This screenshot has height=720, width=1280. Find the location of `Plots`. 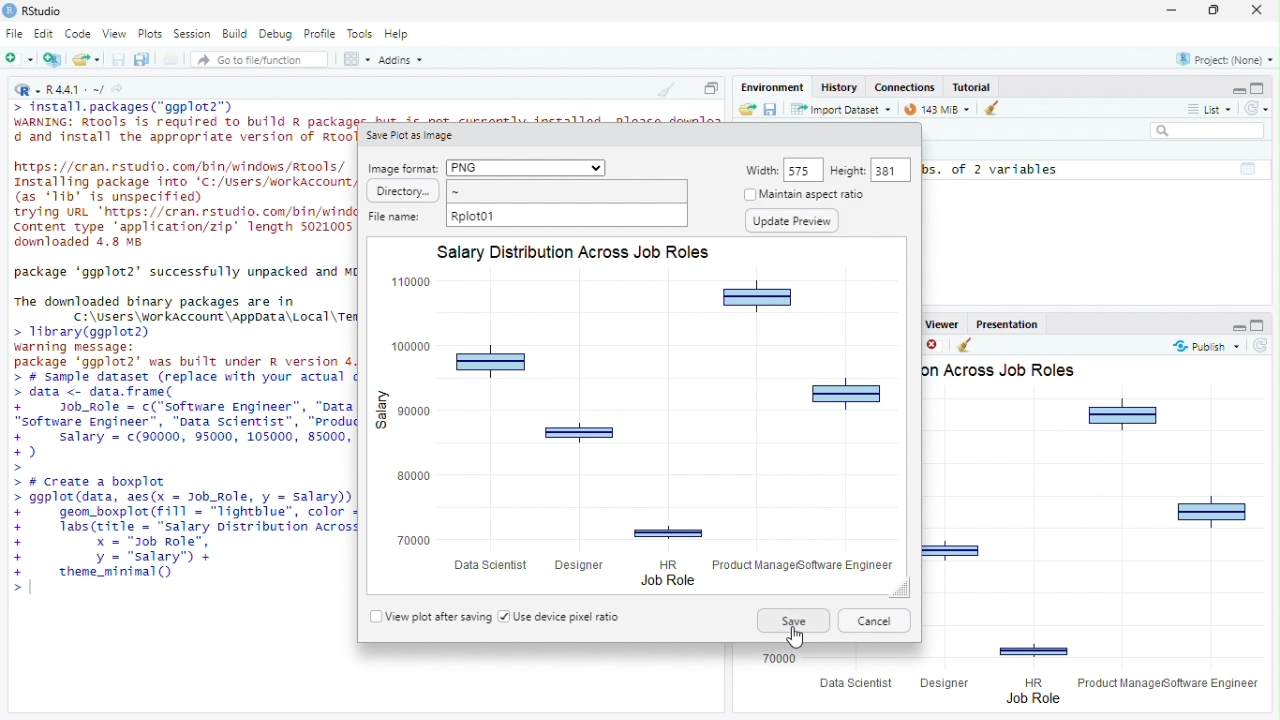

Plots is located at coordinates (150, 34).